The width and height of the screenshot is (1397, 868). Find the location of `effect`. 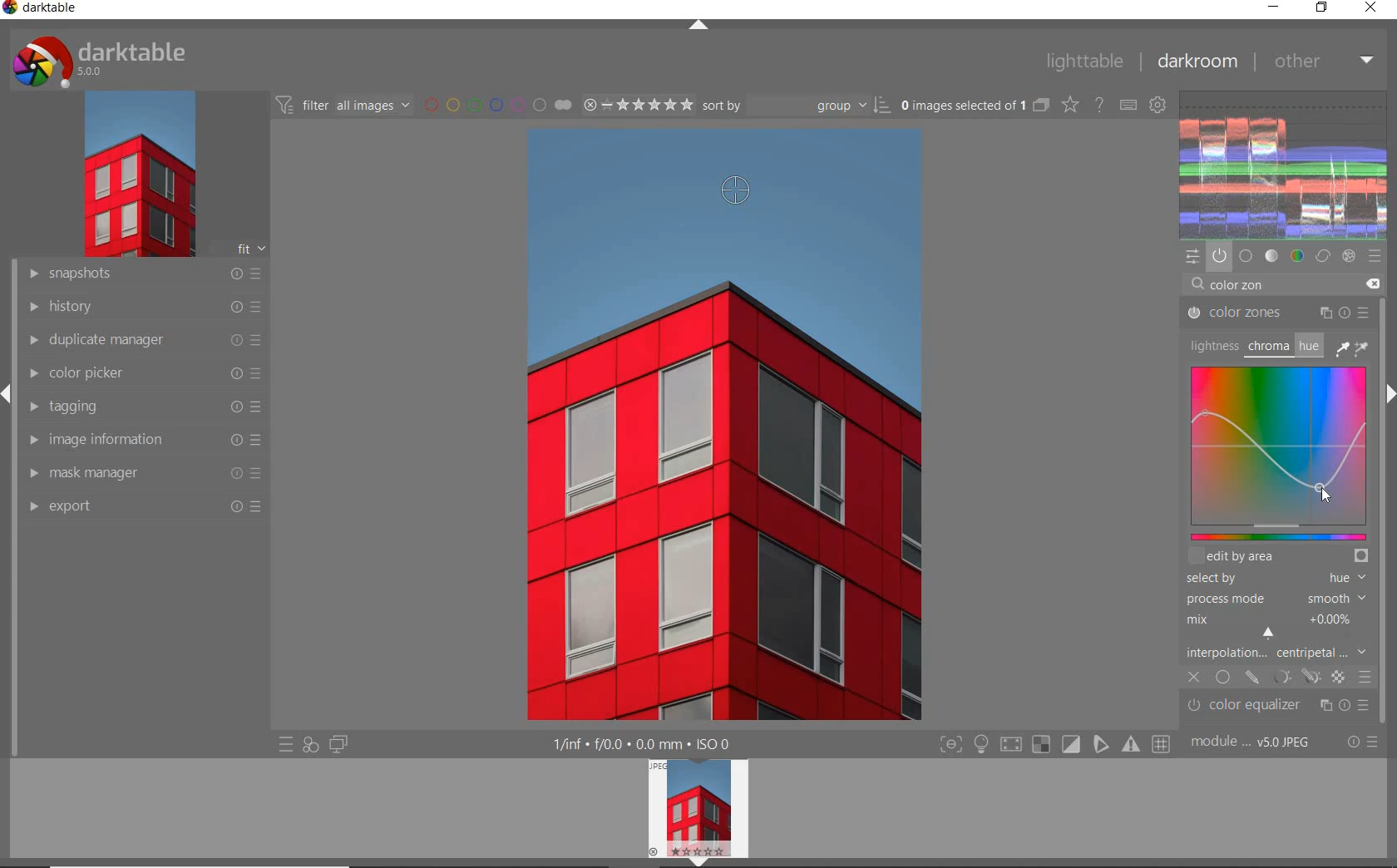

effect is located at coordinates (1350, 256).